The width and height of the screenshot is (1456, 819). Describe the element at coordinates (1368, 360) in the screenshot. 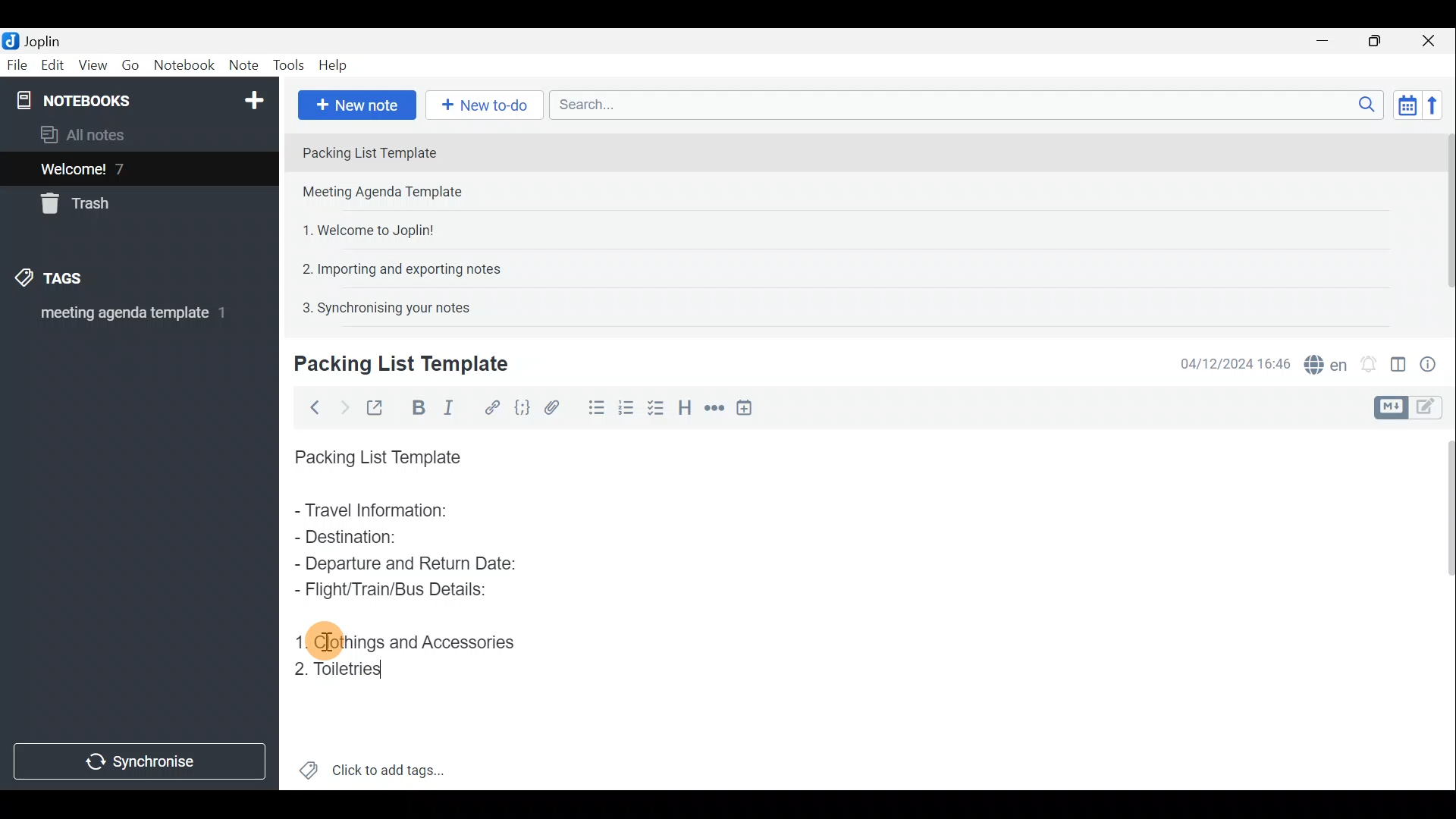

I see `Set alarm` at that location.